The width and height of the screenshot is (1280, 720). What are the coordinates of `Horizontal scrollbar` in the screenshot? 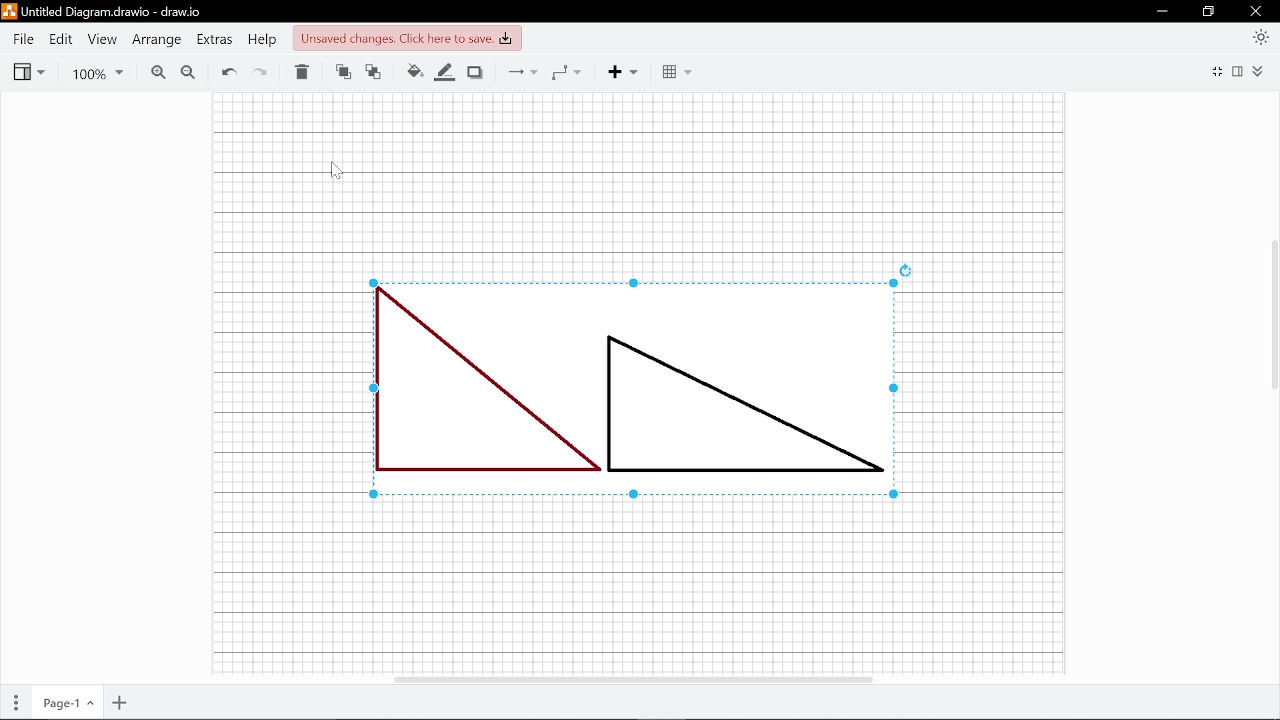 It's located at (634, 679).